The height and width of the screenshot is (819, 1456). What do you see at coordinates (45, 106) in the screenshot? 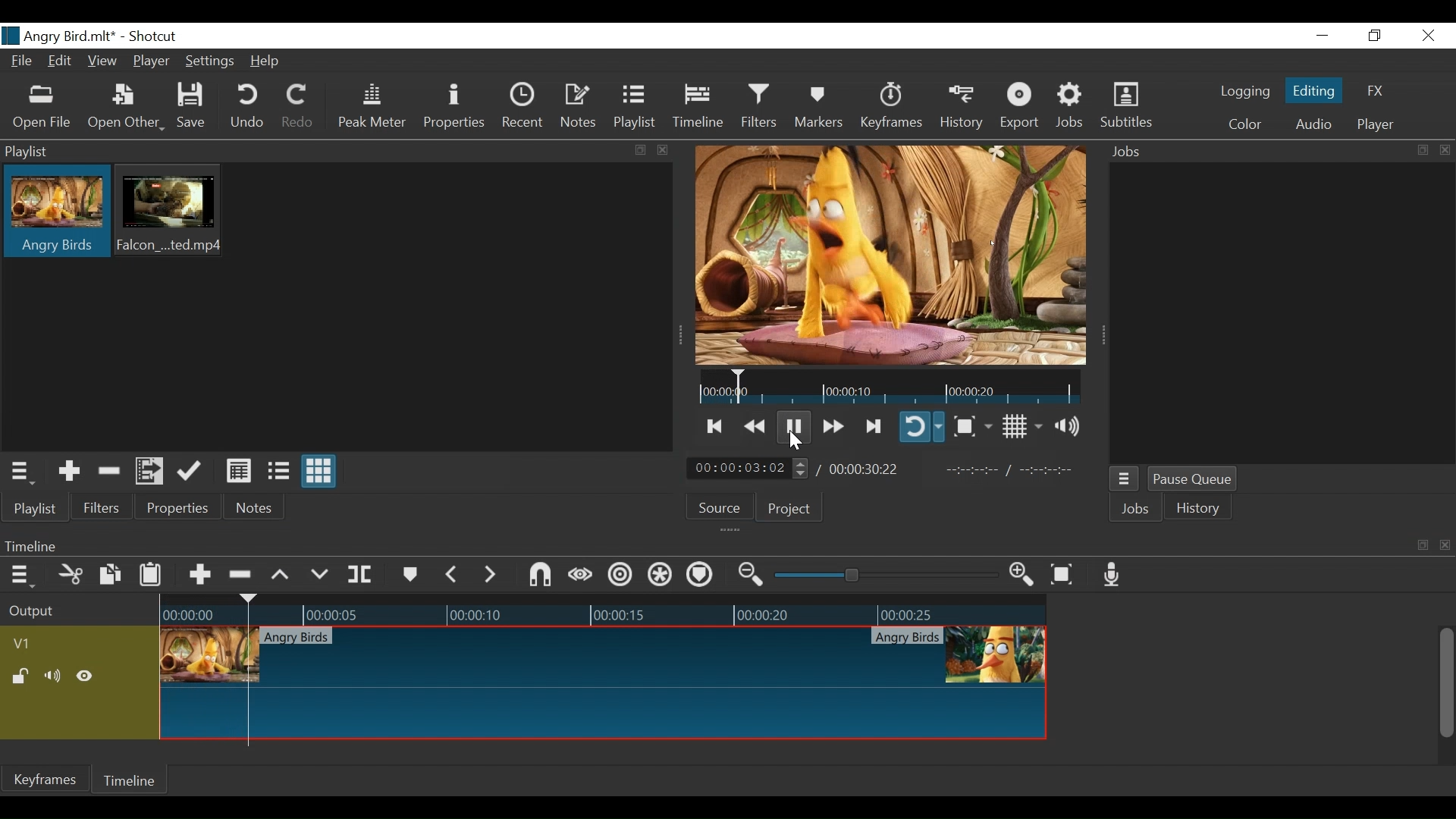
I see `Open File` at bounding box center [45, 106].